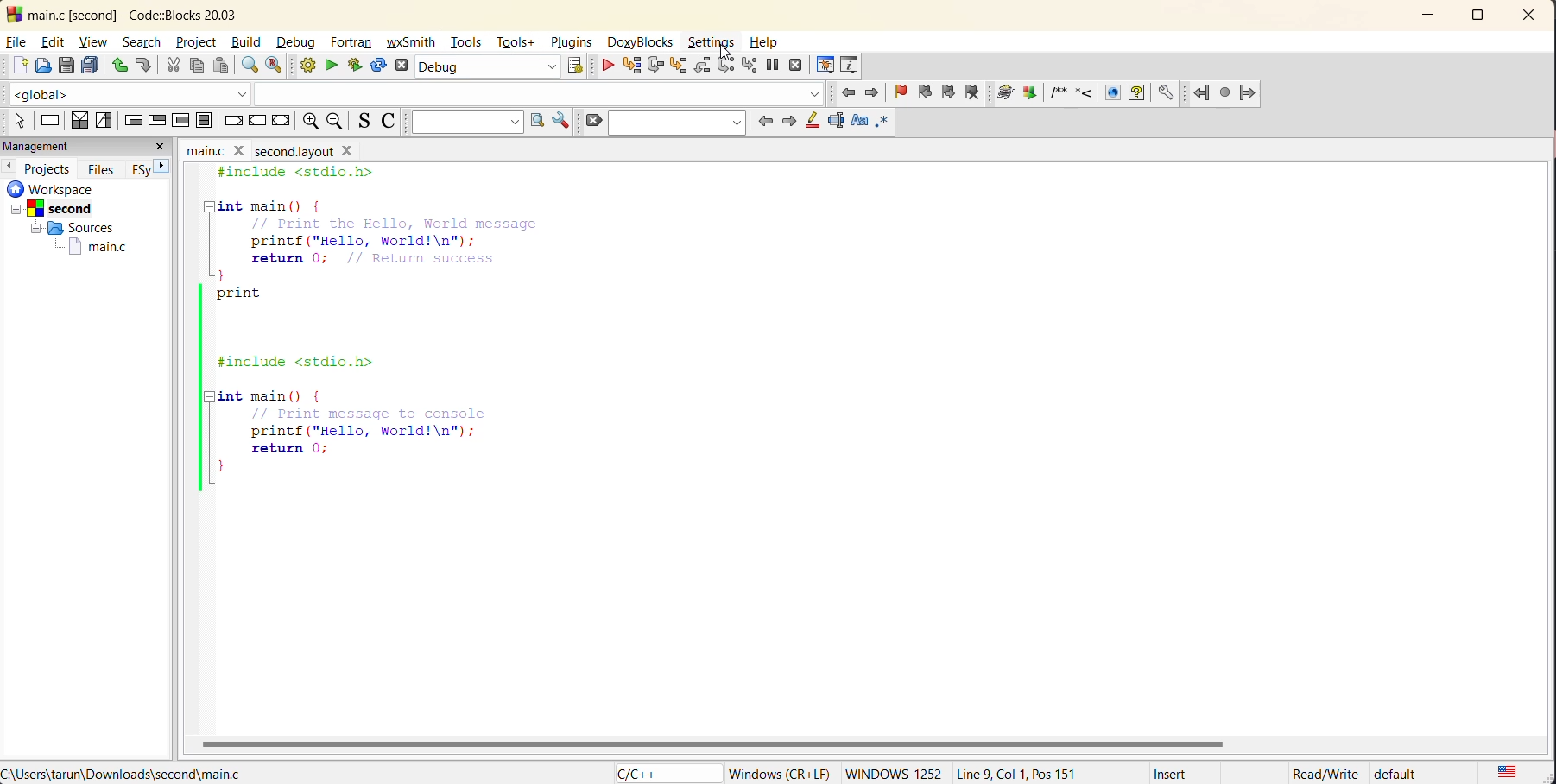 This screenshot has width=1556, height=784. What do you see at coordinates (775, 66) in the screenshot?
I see `break debugger` at bounding box center [775, 66].